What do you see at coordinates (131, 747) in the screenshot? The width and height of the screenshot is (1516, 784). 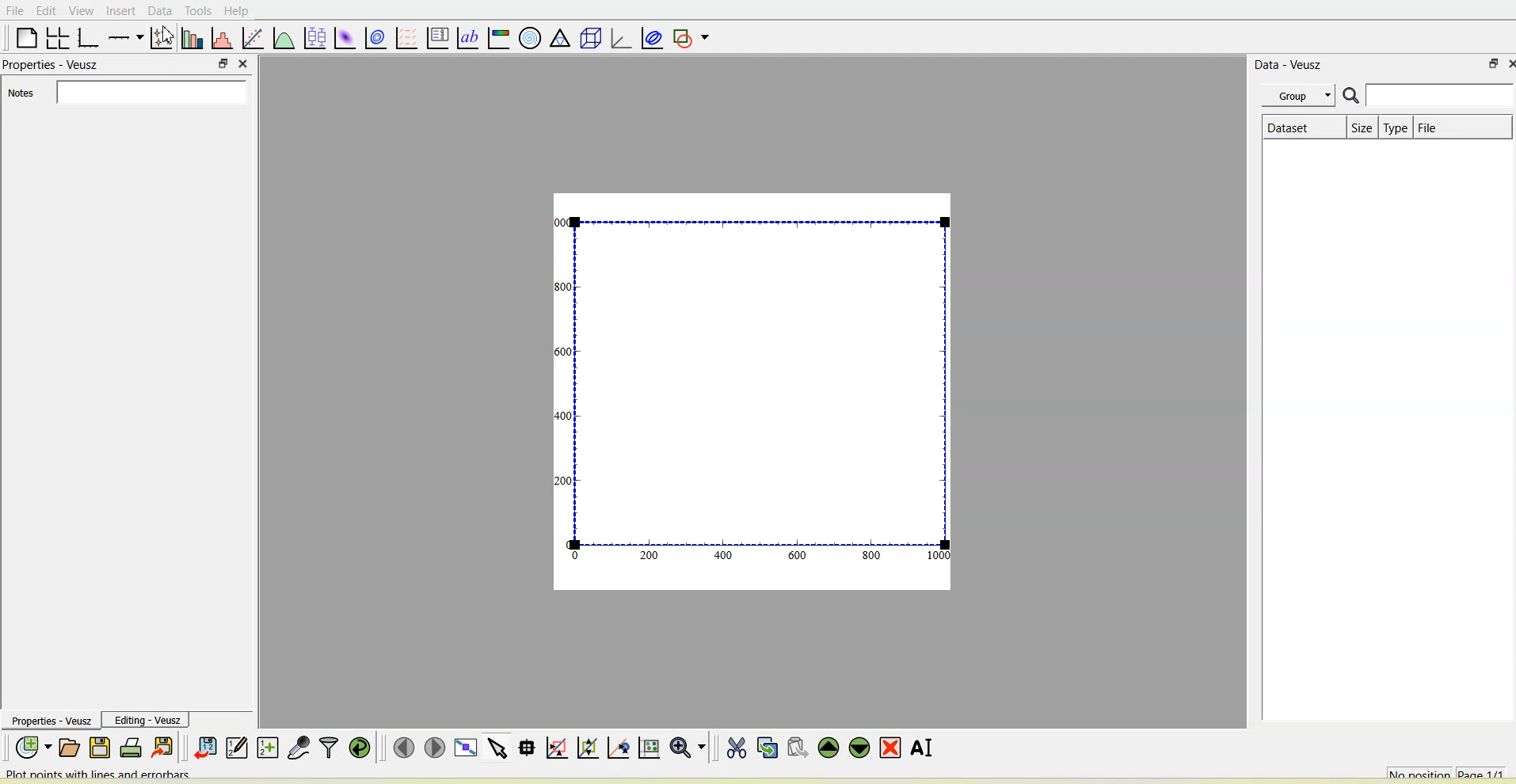 I see `Print the document` at bounding box center [131, 747].